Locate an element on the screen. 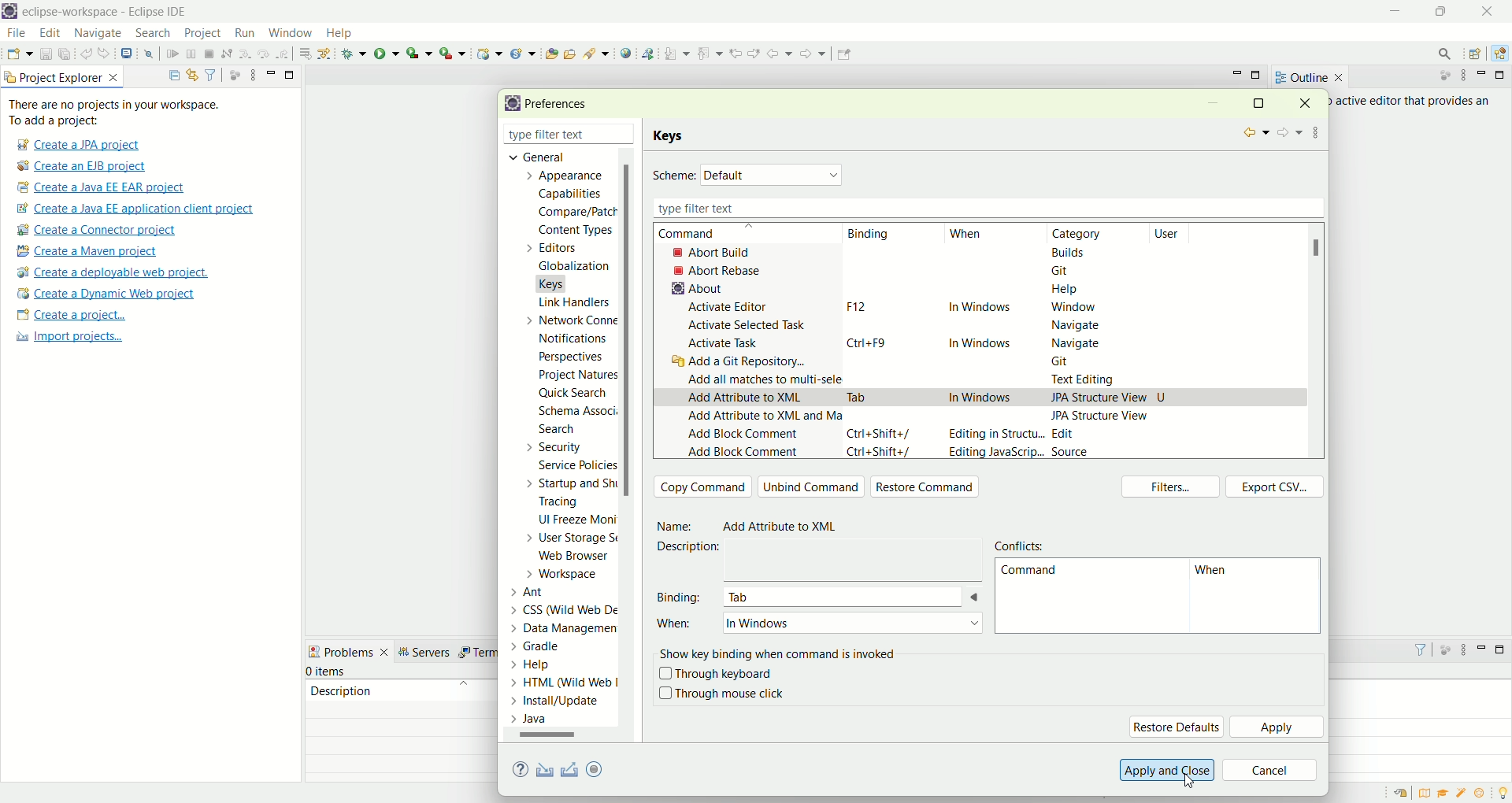  inding is located at coordinates (870, 235).